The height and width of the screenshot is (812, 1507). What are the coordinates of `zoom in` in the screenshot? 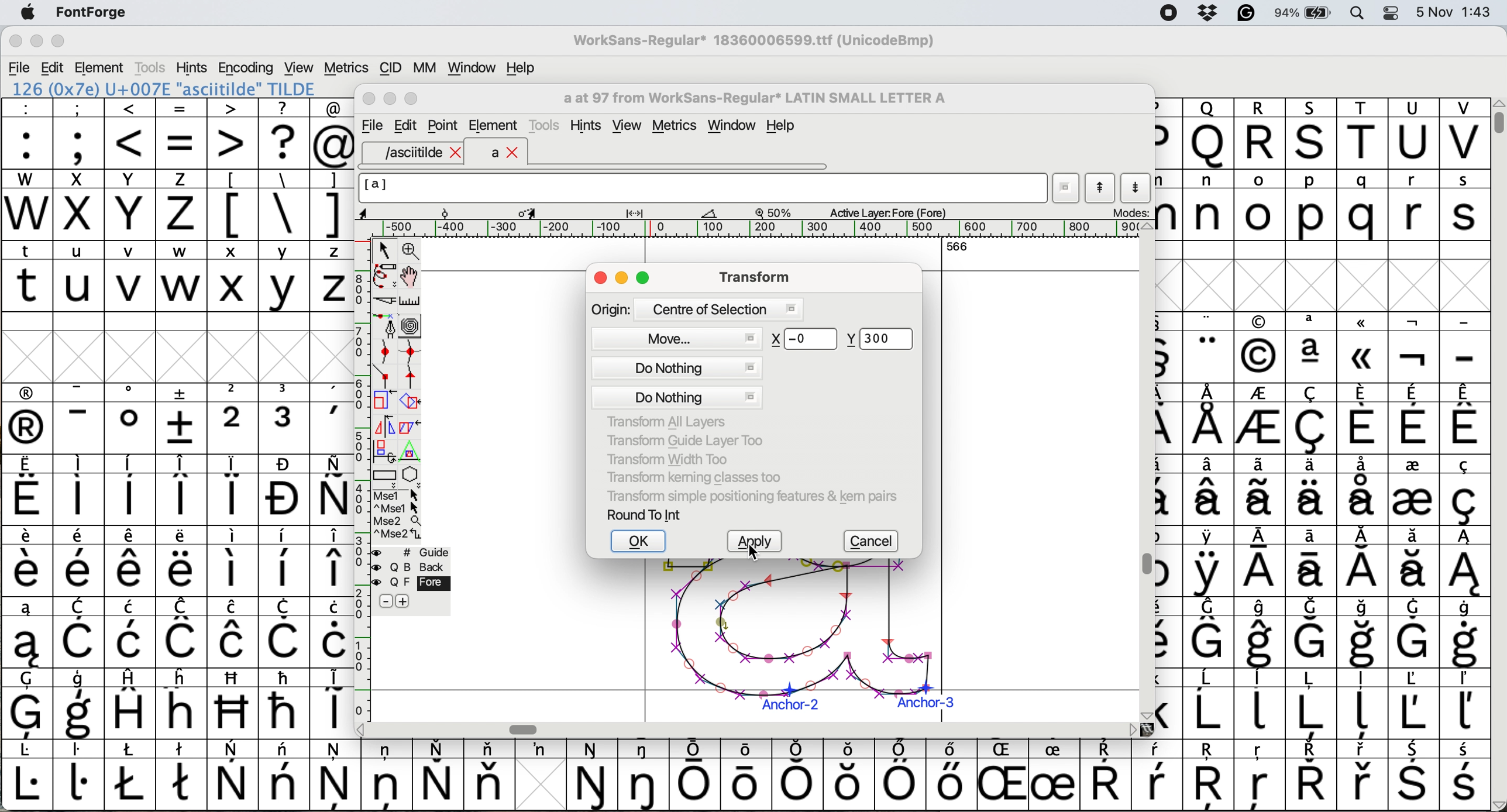 It's located at (413, 252).